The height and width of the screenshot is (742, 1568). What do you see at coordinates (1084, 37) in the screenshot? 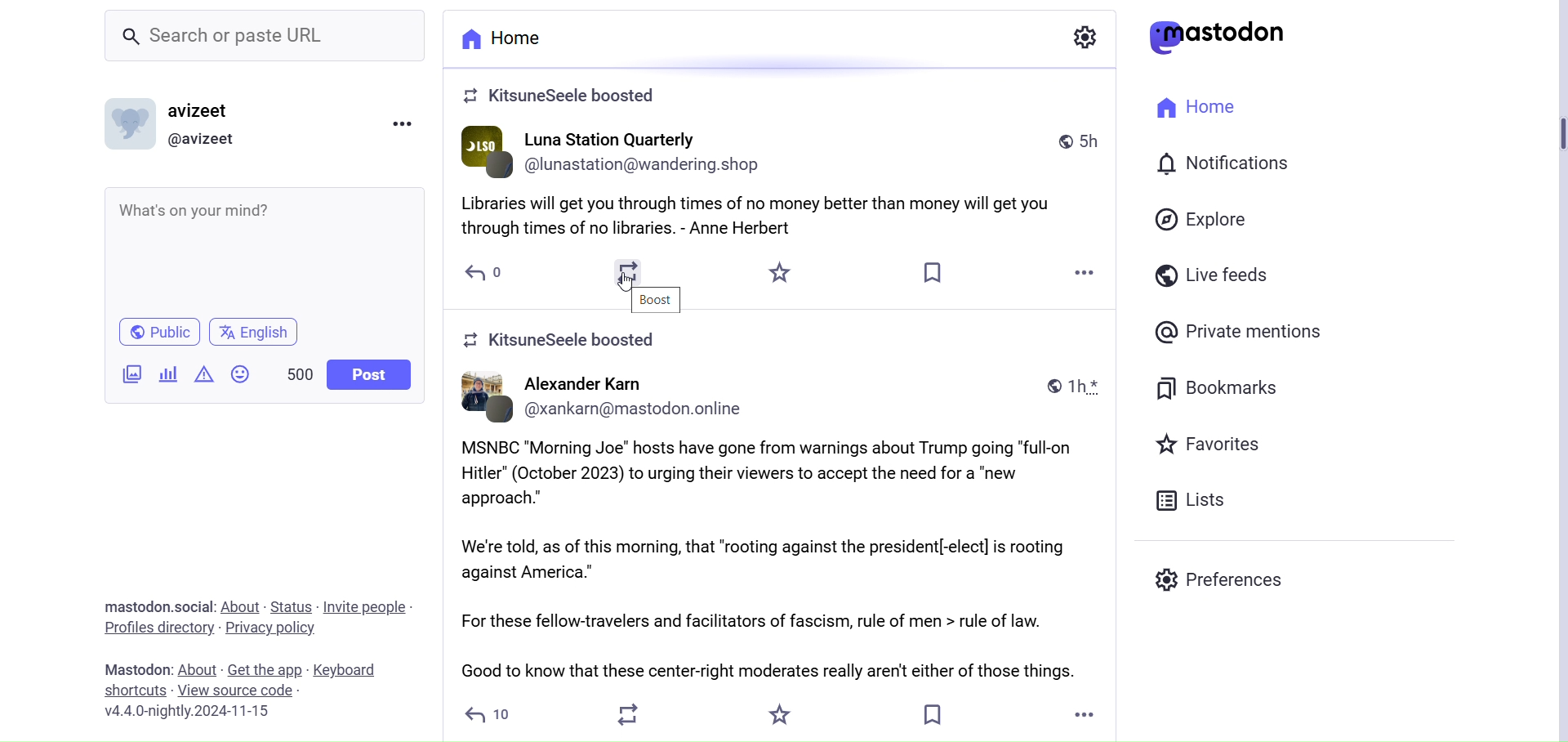
I see `Show Settings` at bounding box center [1084, 37].